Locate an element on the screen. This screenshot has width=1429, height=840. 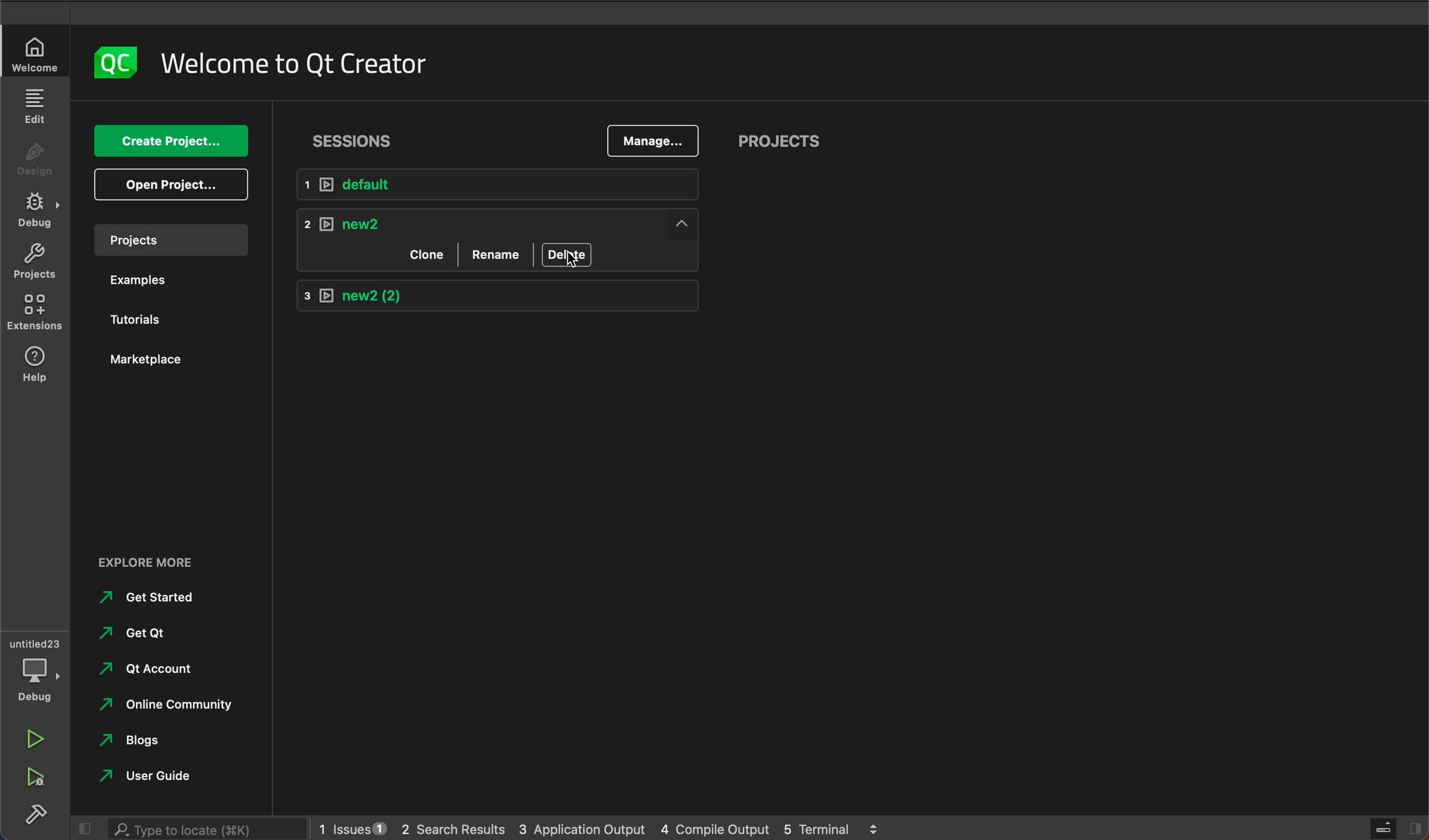
new 2 is located at coordinates (498, 292).